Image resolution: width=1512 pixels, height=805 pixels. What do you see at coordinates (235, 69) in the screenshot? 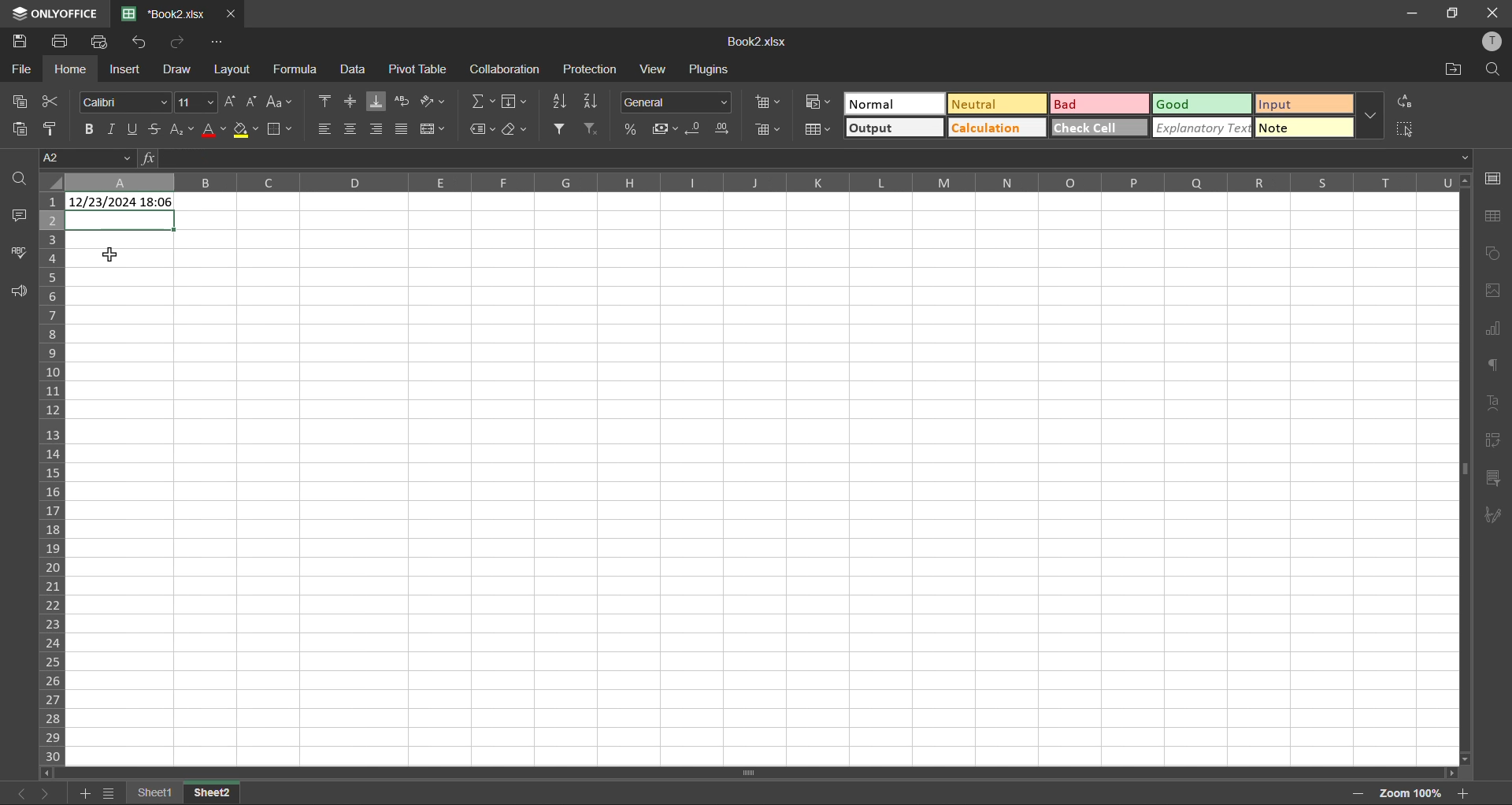
I see `layout` at bounding box center [235, 69].